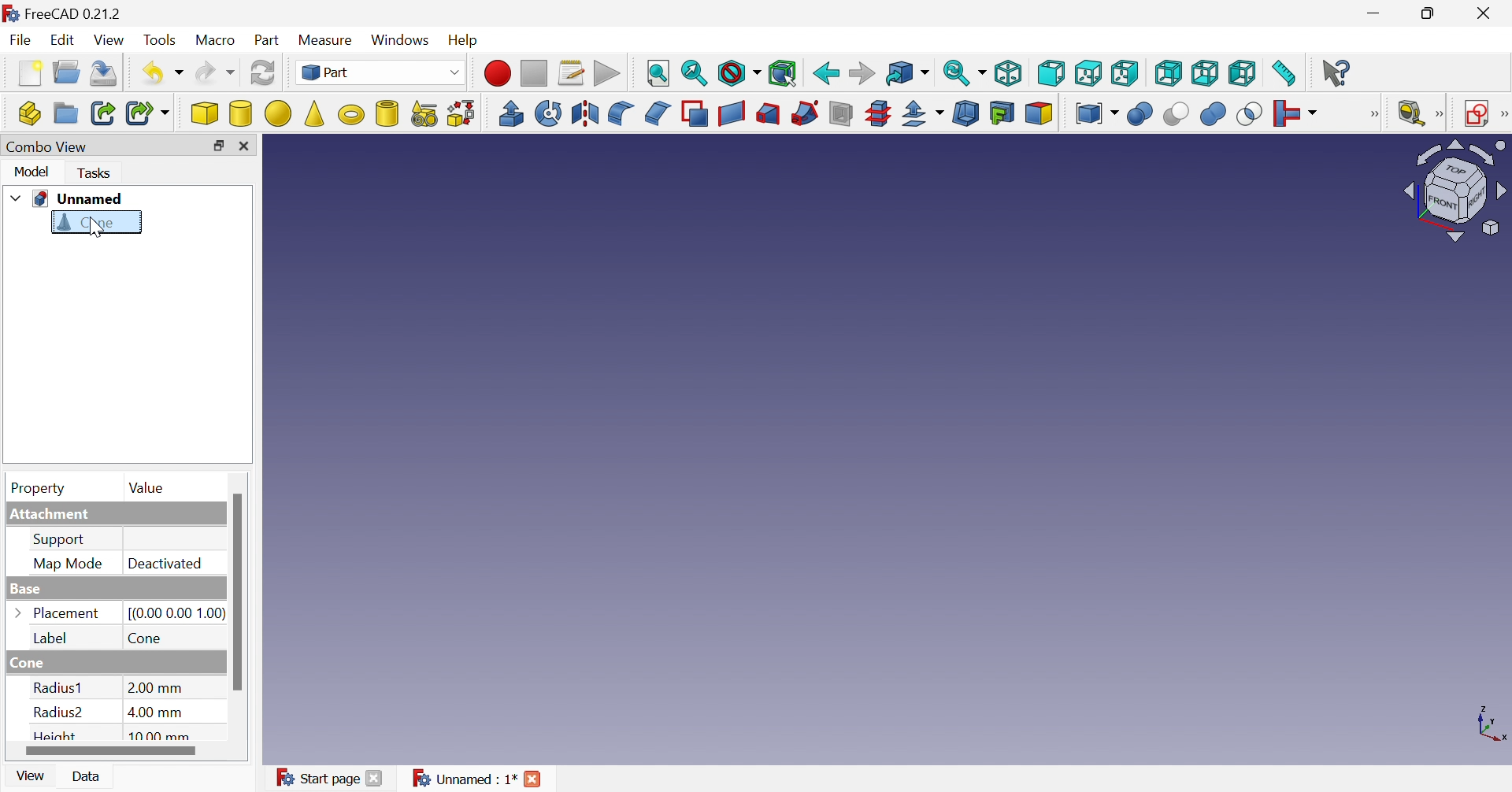 This screenshot has height=792, width=1512. What do you see at coordinates (1174, 113) in the screenshot?
I see `Cut` at bounding box center [1174, 113].